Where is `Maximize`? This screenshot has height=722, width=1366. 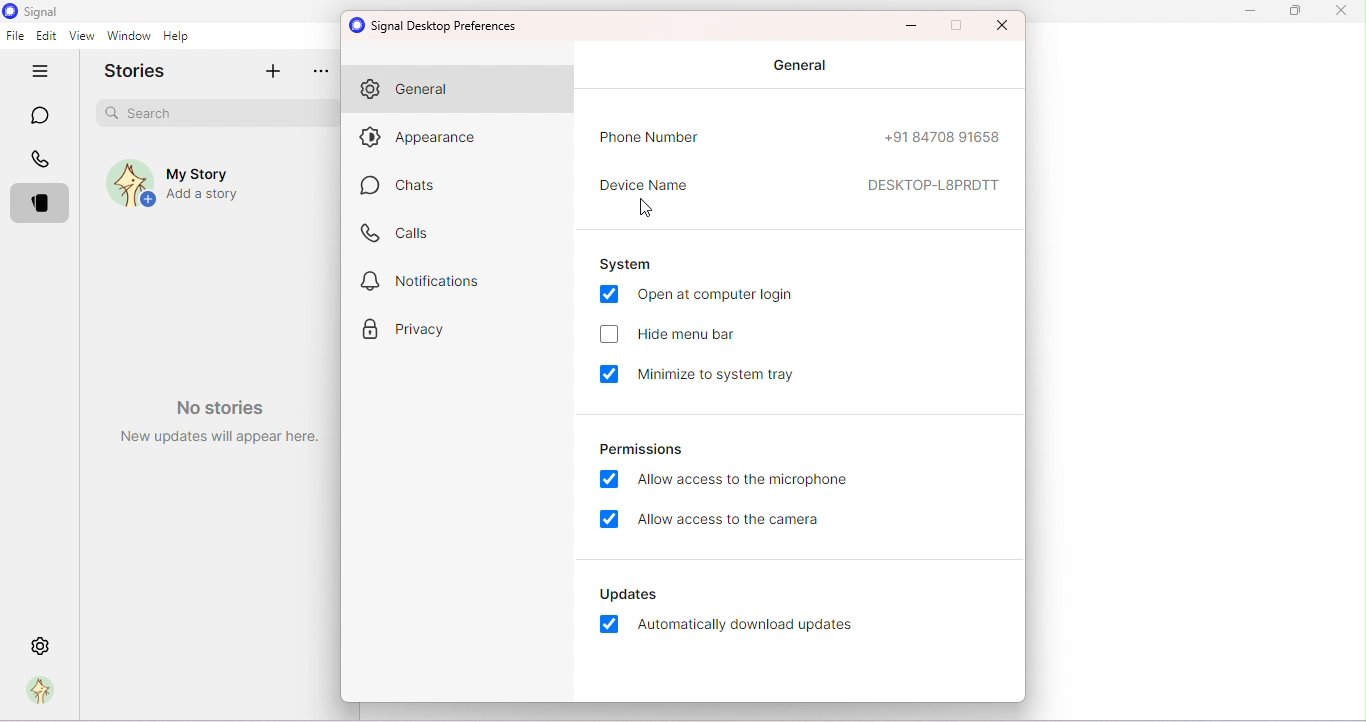
Maximize is located at coordinates (958, 27).